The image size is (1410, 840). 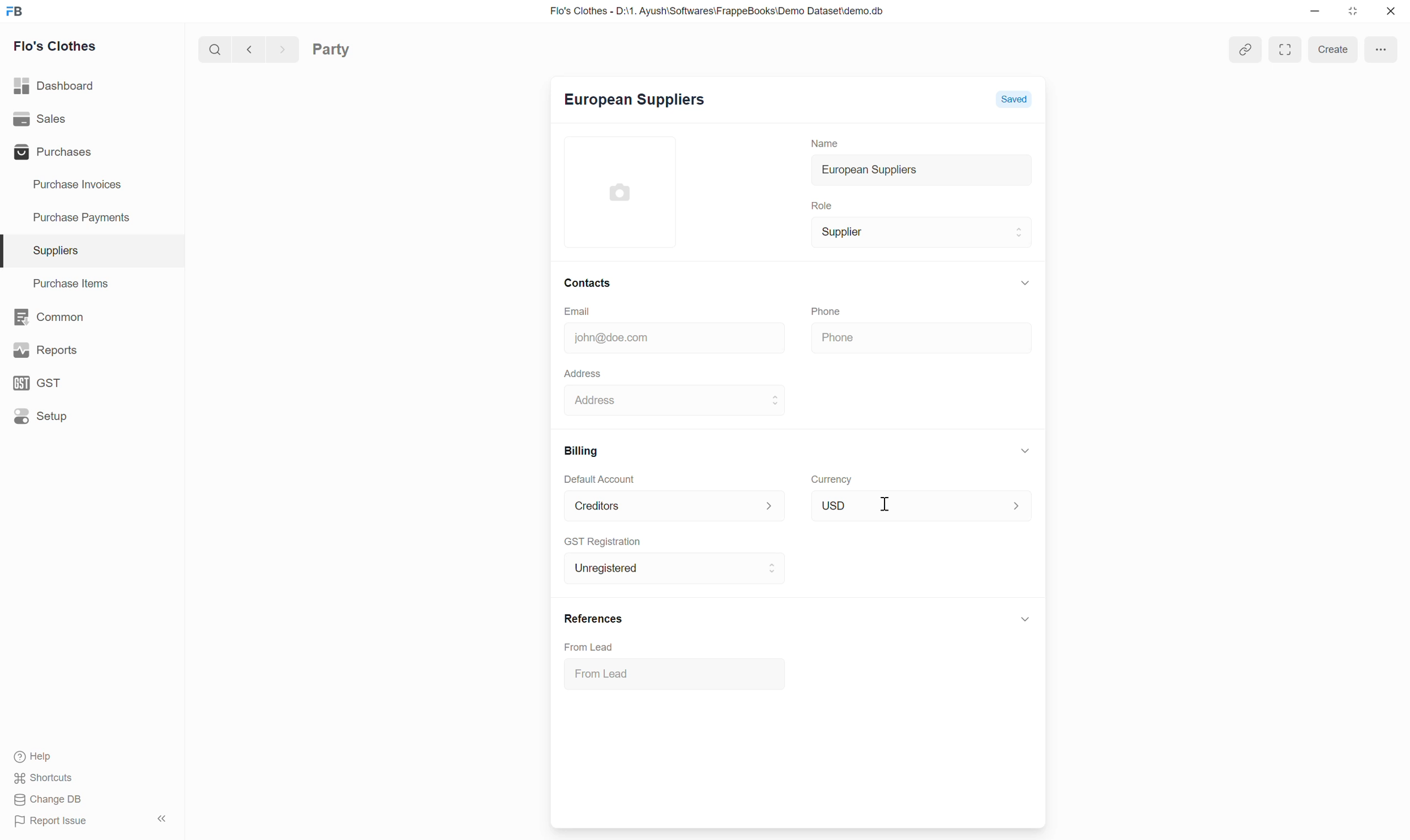 What do you see at coordinates (828, 477) in the screenshot?
I see `Currency` at bounding box center [828, 477].